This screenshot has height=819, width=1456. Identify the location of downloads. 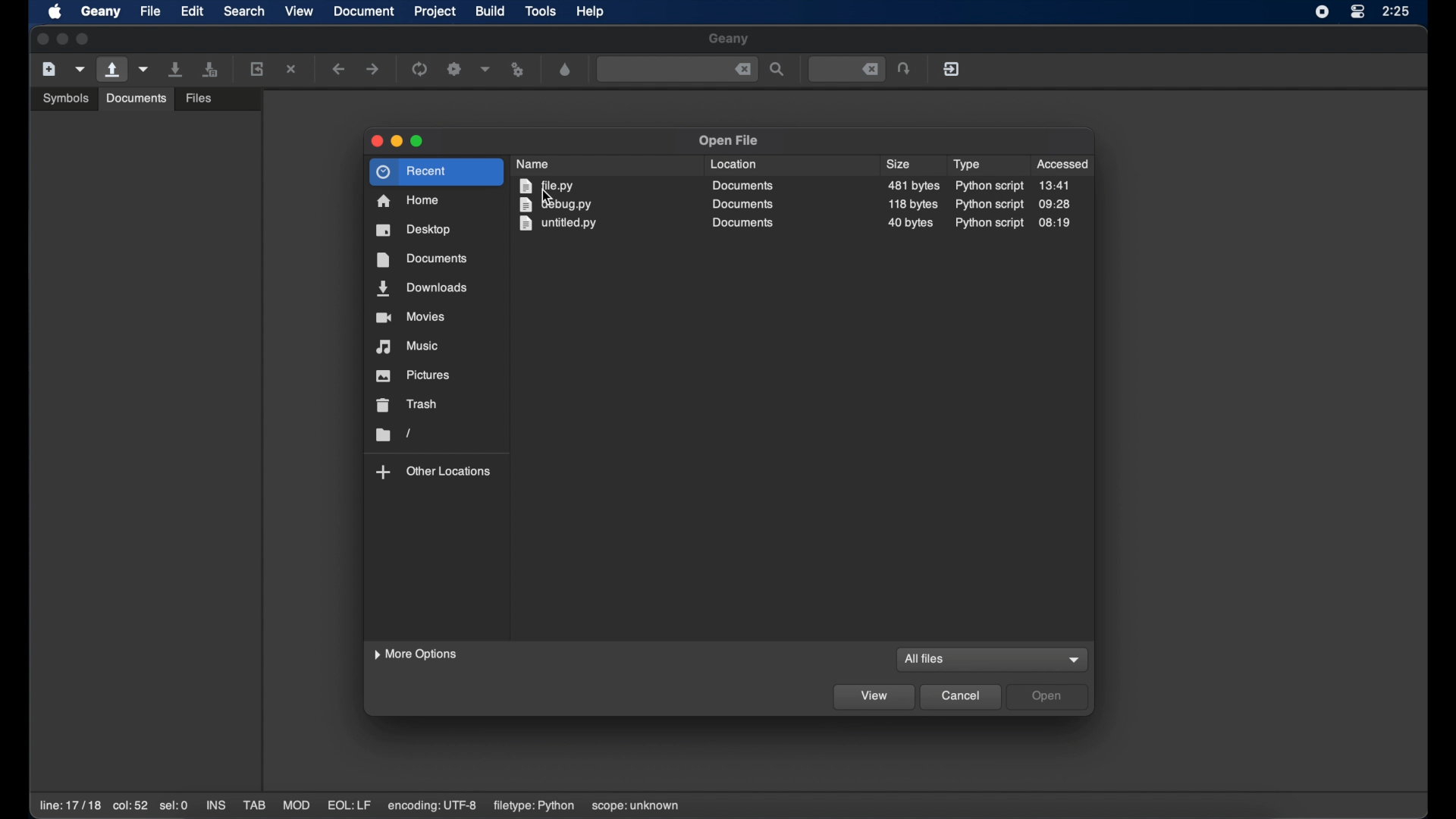
(422, 288).